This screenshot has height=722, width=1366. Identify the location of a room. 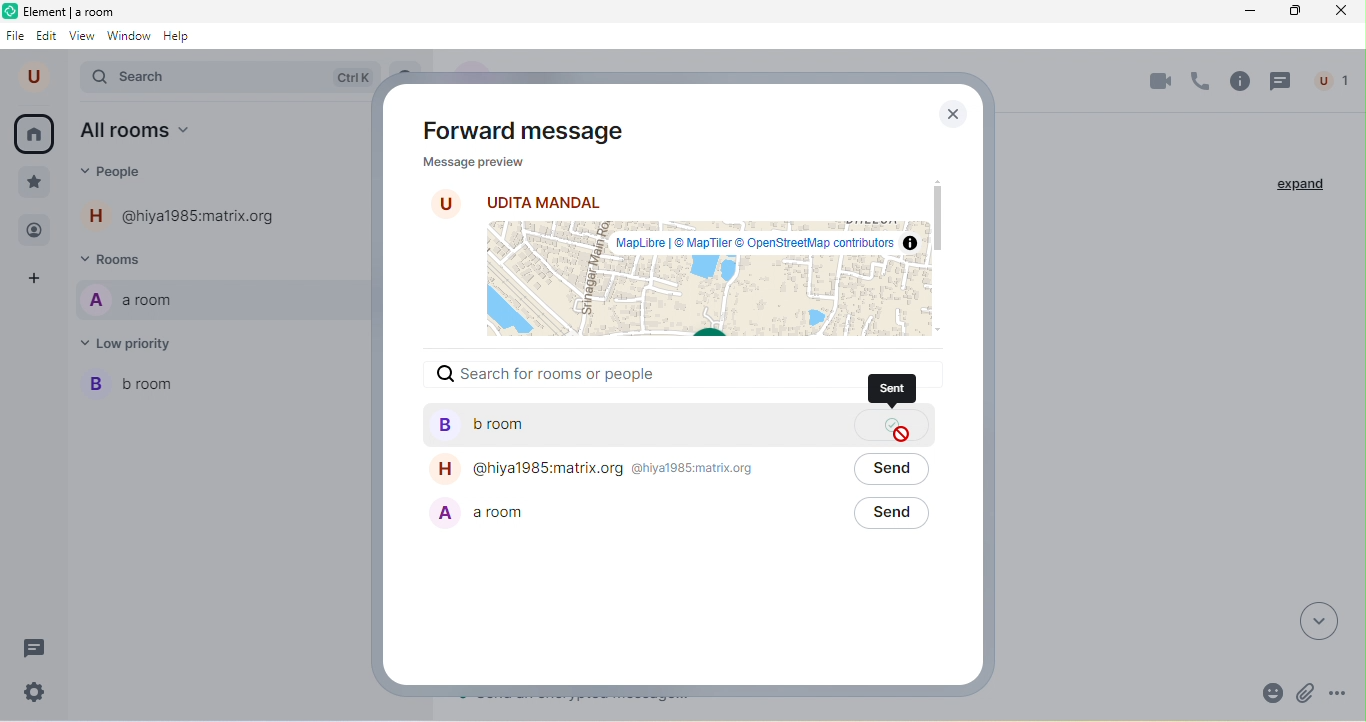
(588, 526).